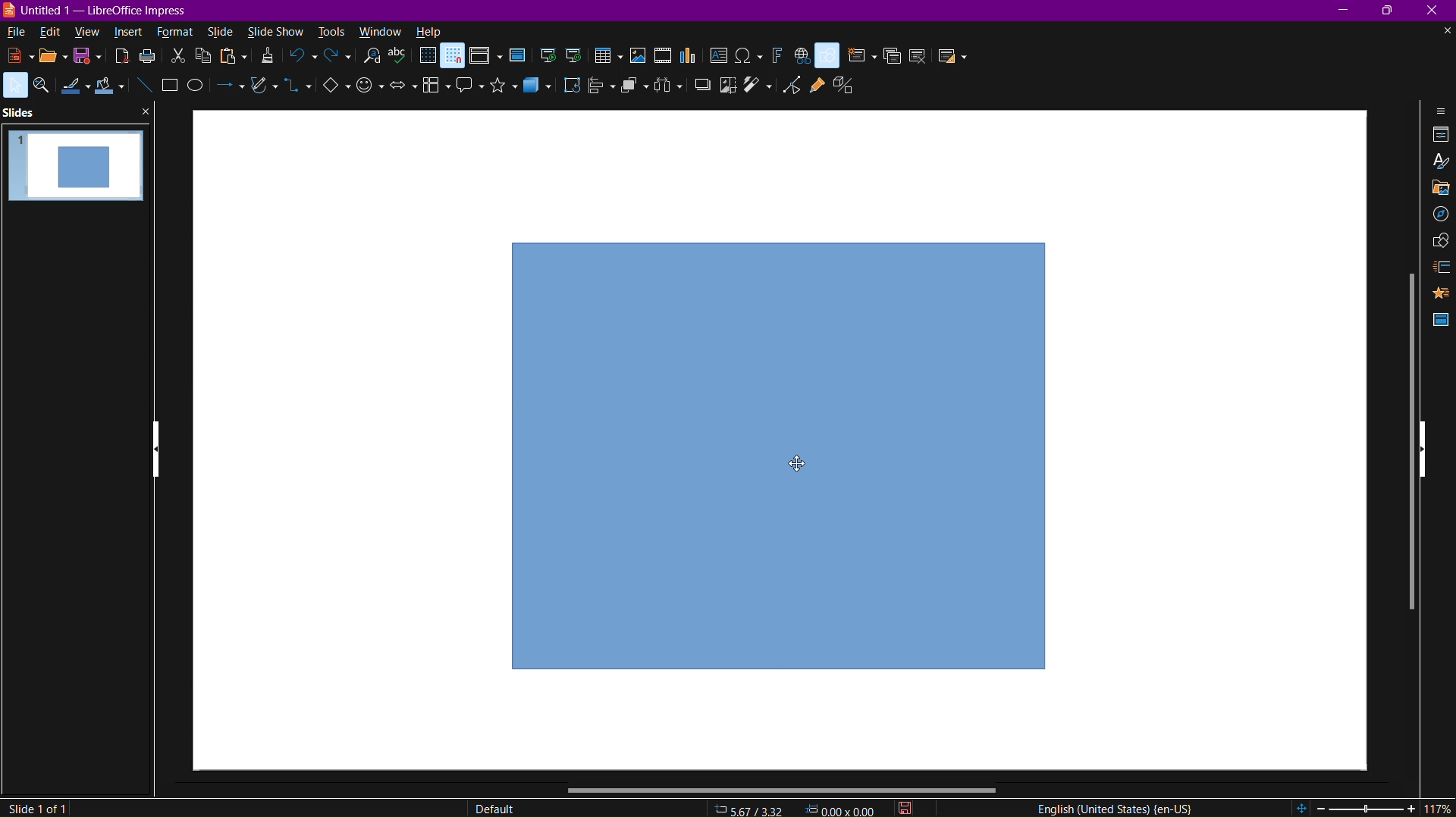 This screenshot has height=817, width=1456. What do you see at coordinates (1405, 438) in the screenshot?
I see `Scrollbar` at bounding box center [1405, 438].